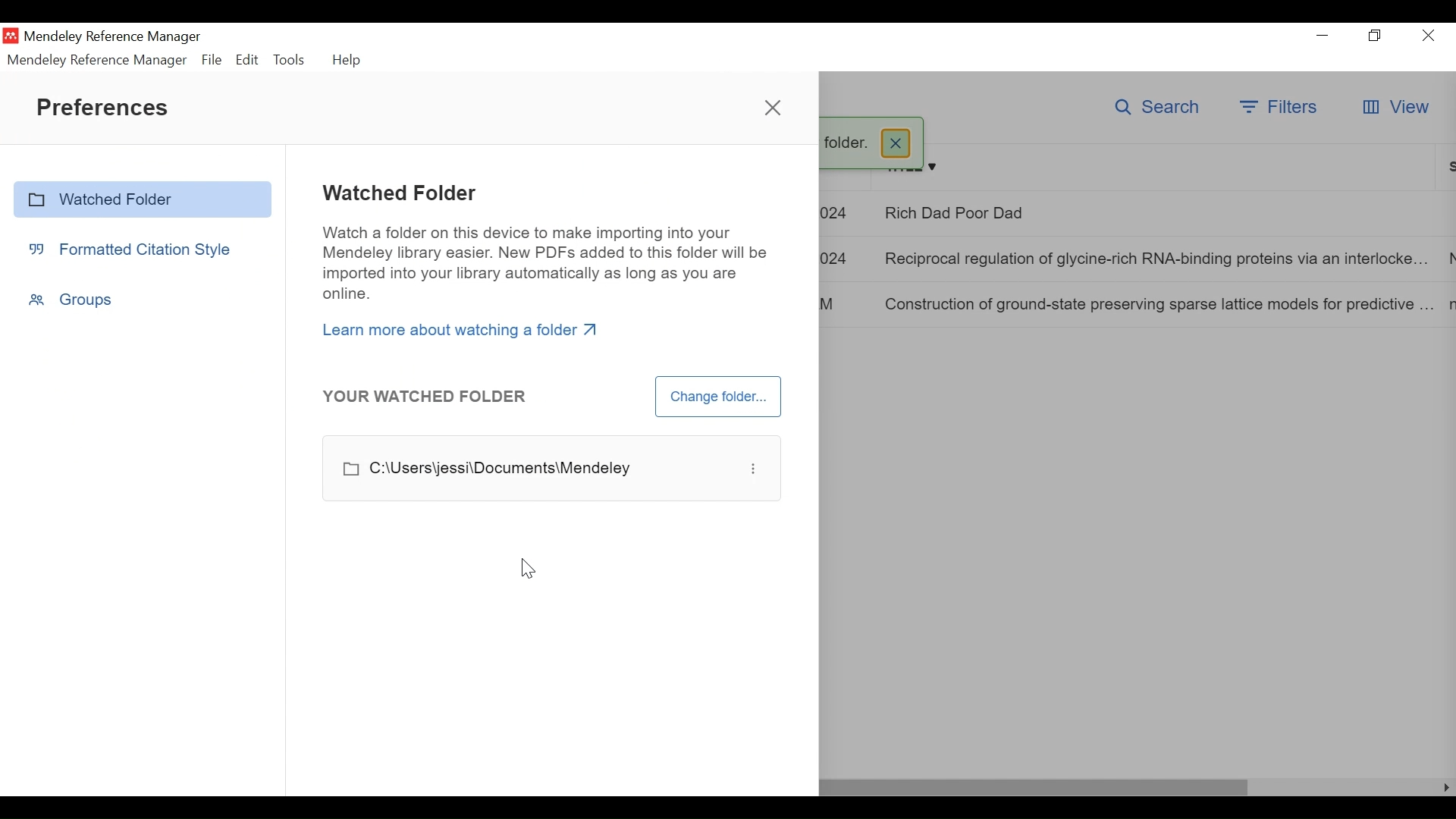  What do you see at coordinates (289, 61) in the screenshot?
I see `Tools` at bounding box center [289, 61].